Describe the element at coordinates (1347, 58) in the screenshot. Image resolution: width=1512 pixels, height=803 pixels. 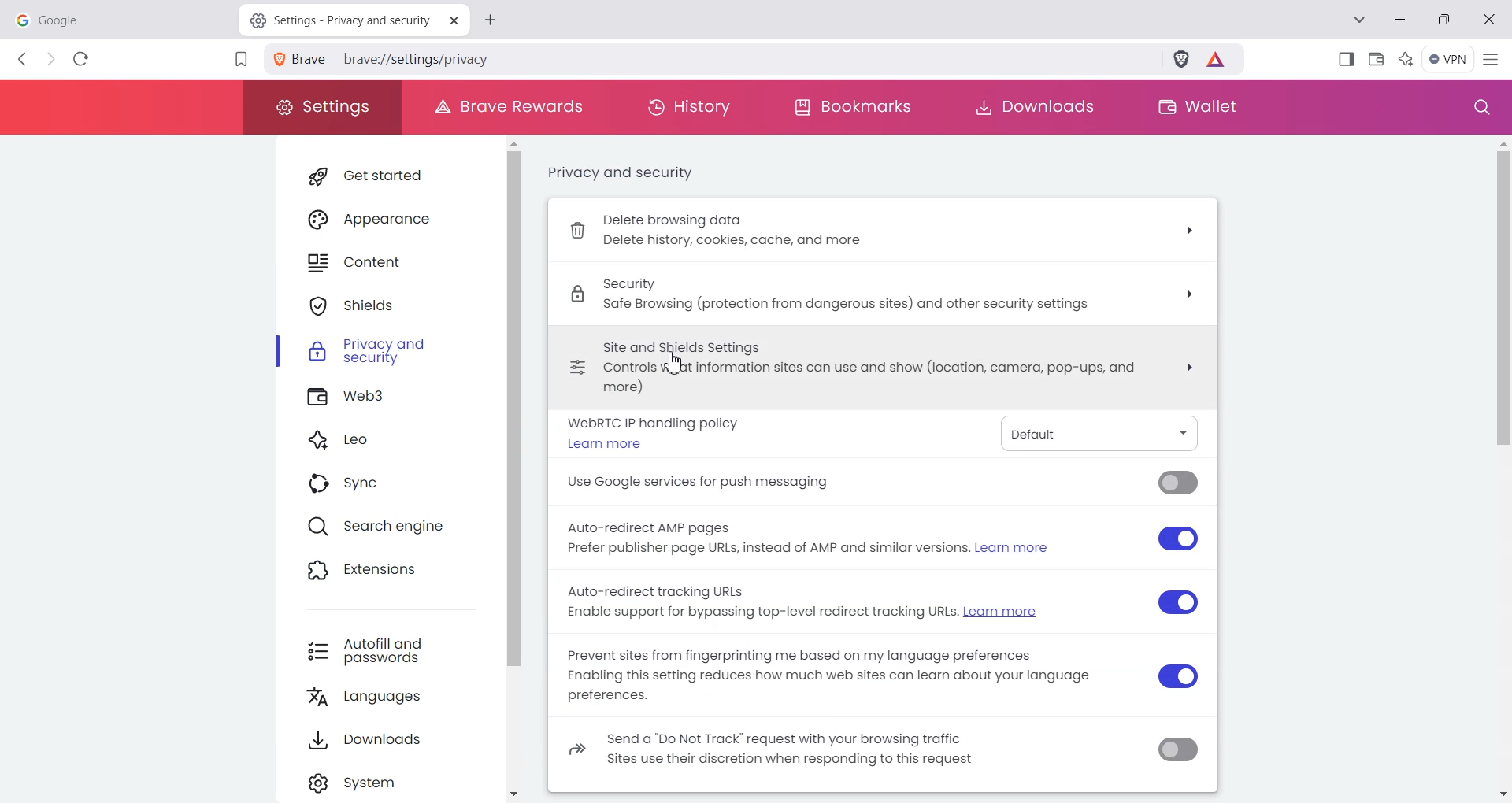
I see `Show Sidebar` at that location.